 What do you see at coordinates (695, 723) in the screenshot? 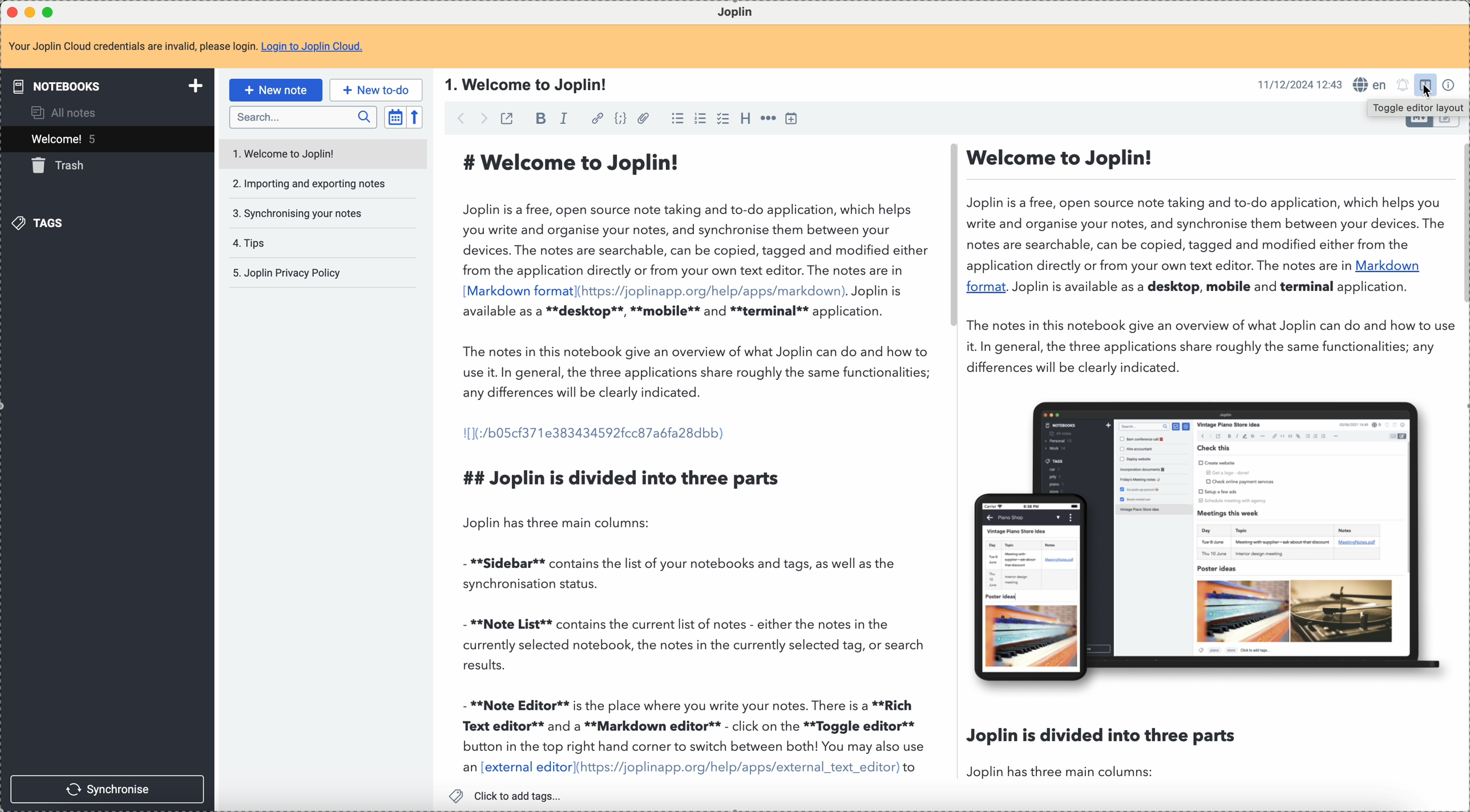
I see `- **Note Editor** is the place where you write your notes. There is a **Rich
Text editor** and a **Markdown editor** - click on the **Toggle editor**
button in the top right hand corner to switch between both! You may also use` at bounding box center [695, 723].